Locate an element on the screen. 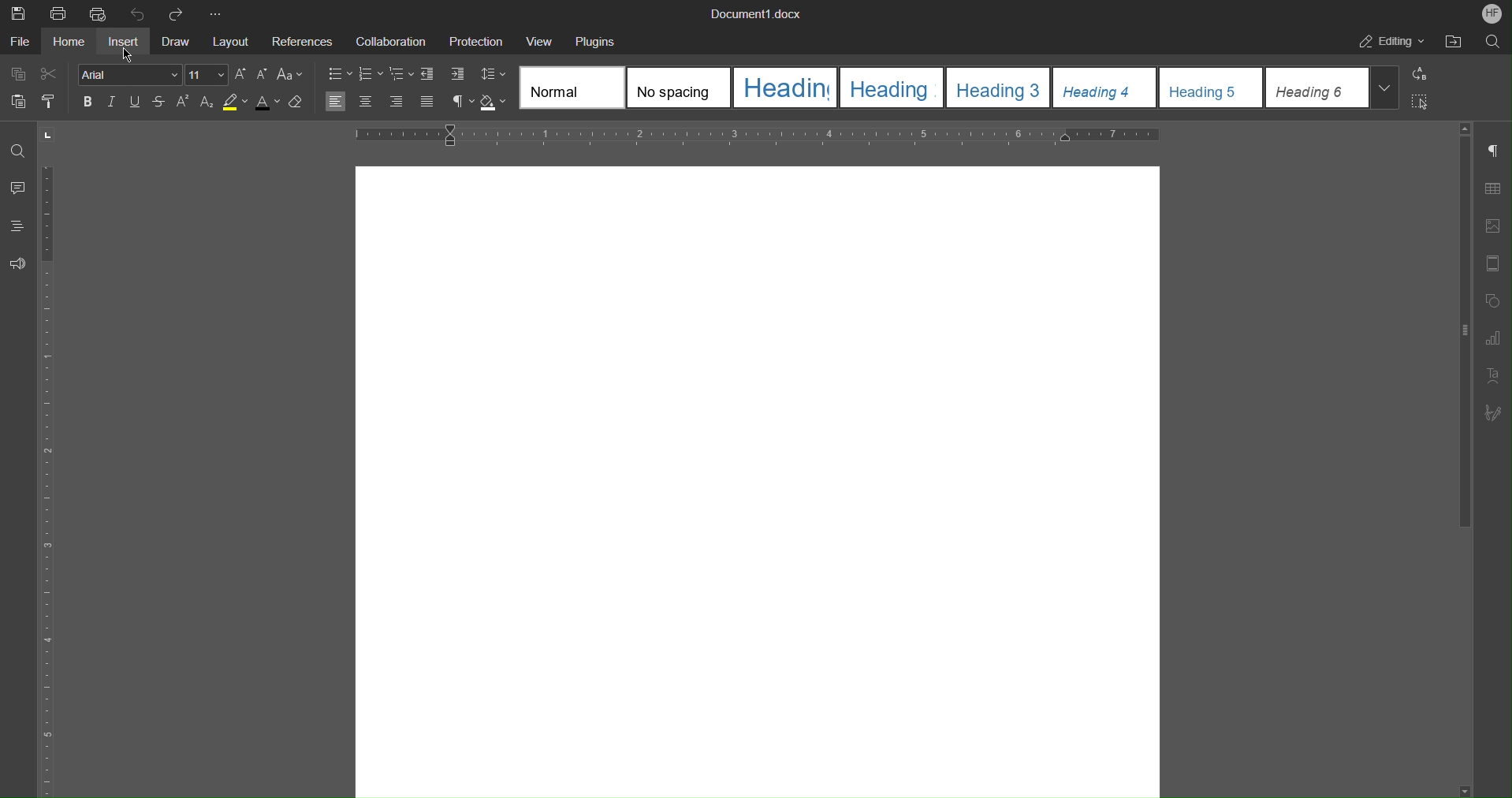 This screenshot has height=798, width=1512. Graph is located at coordinates (1499, 338).